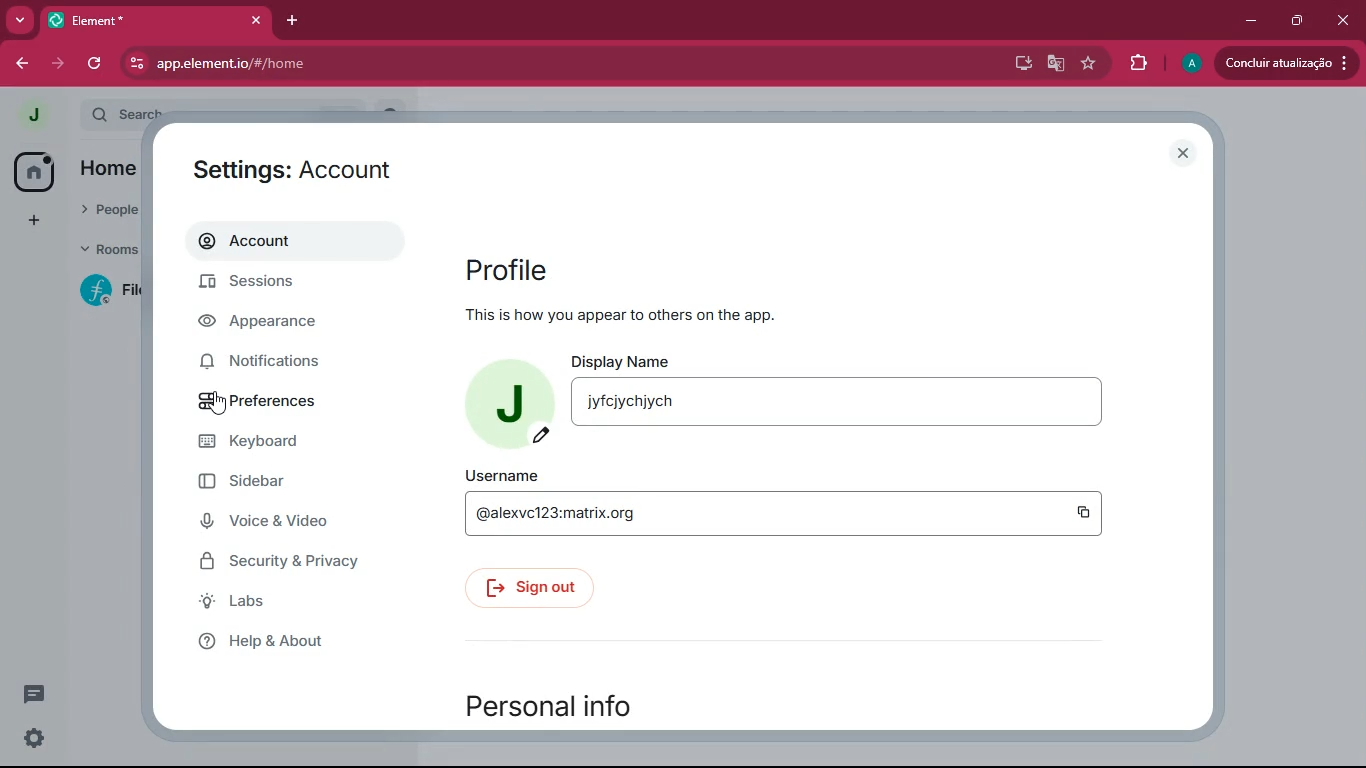 This screenshot has height=768, width=1366. What do you see at coordinates (23, 64) in the screenshot?
I see `back` at bounding box center [23, 64].